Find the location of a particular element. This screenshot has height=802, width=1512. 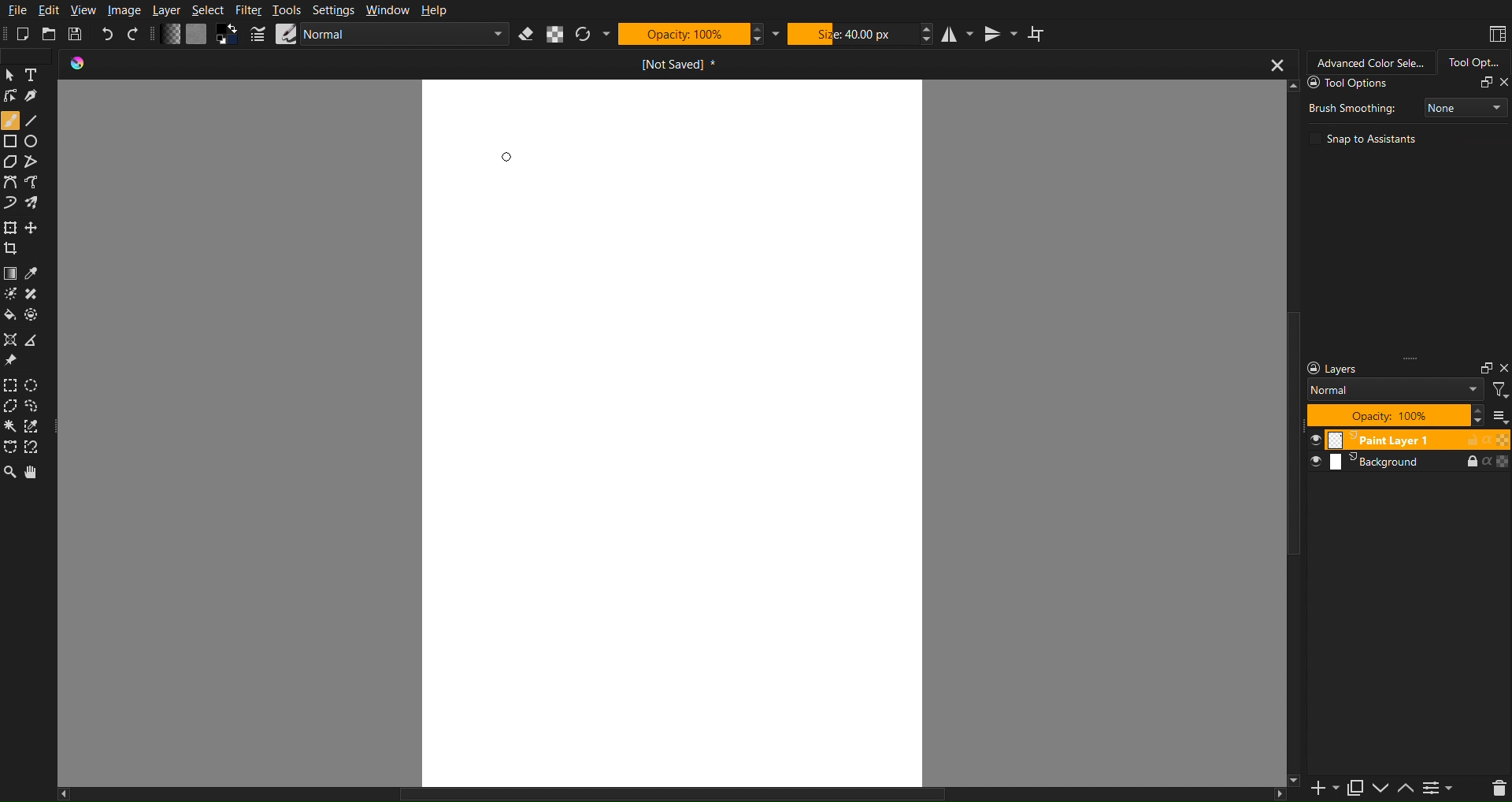

Layer 1 is located at coordinates (1406, 439).